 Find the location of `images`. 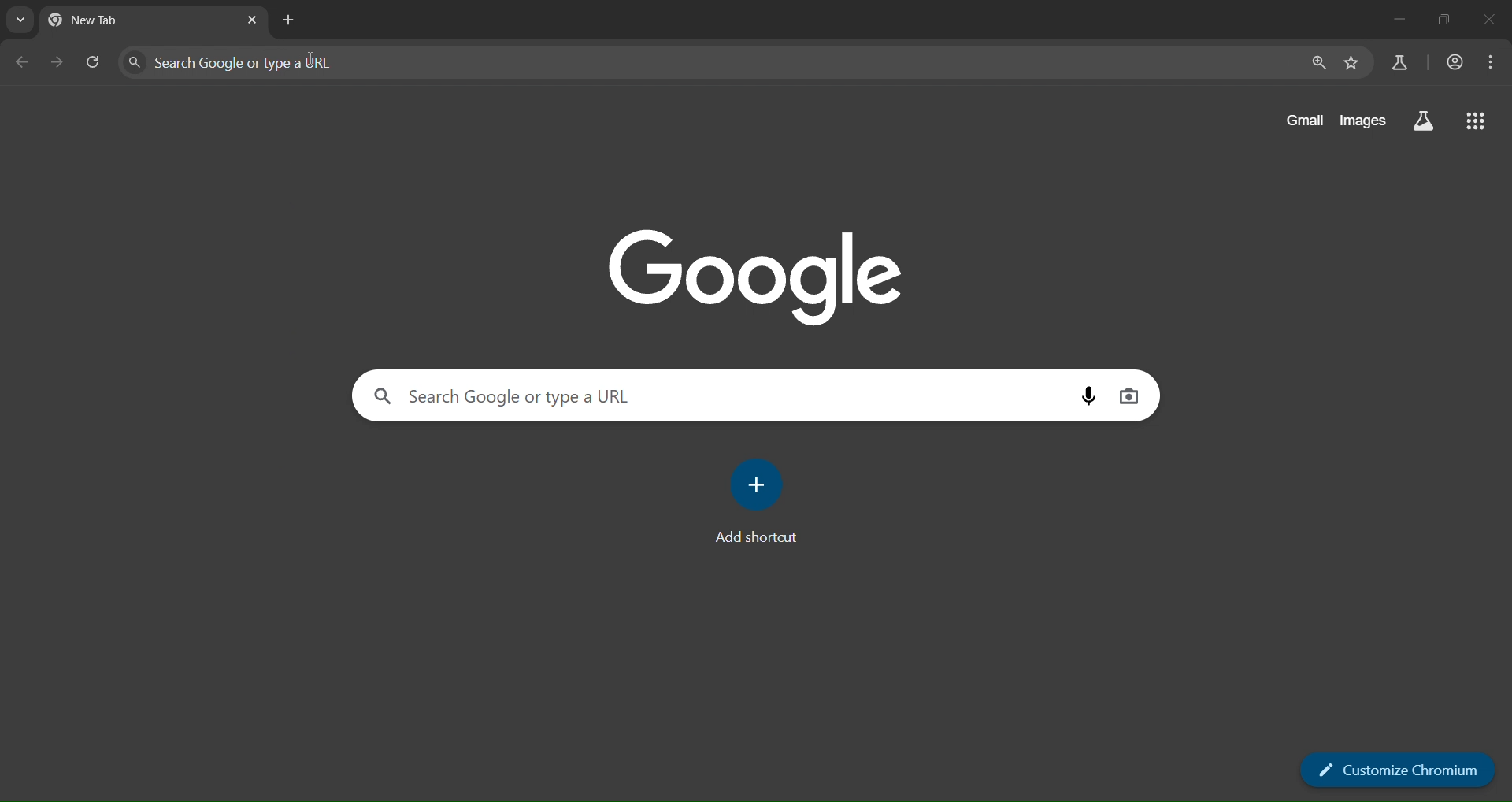

images is located at coordinates (1361, 121).